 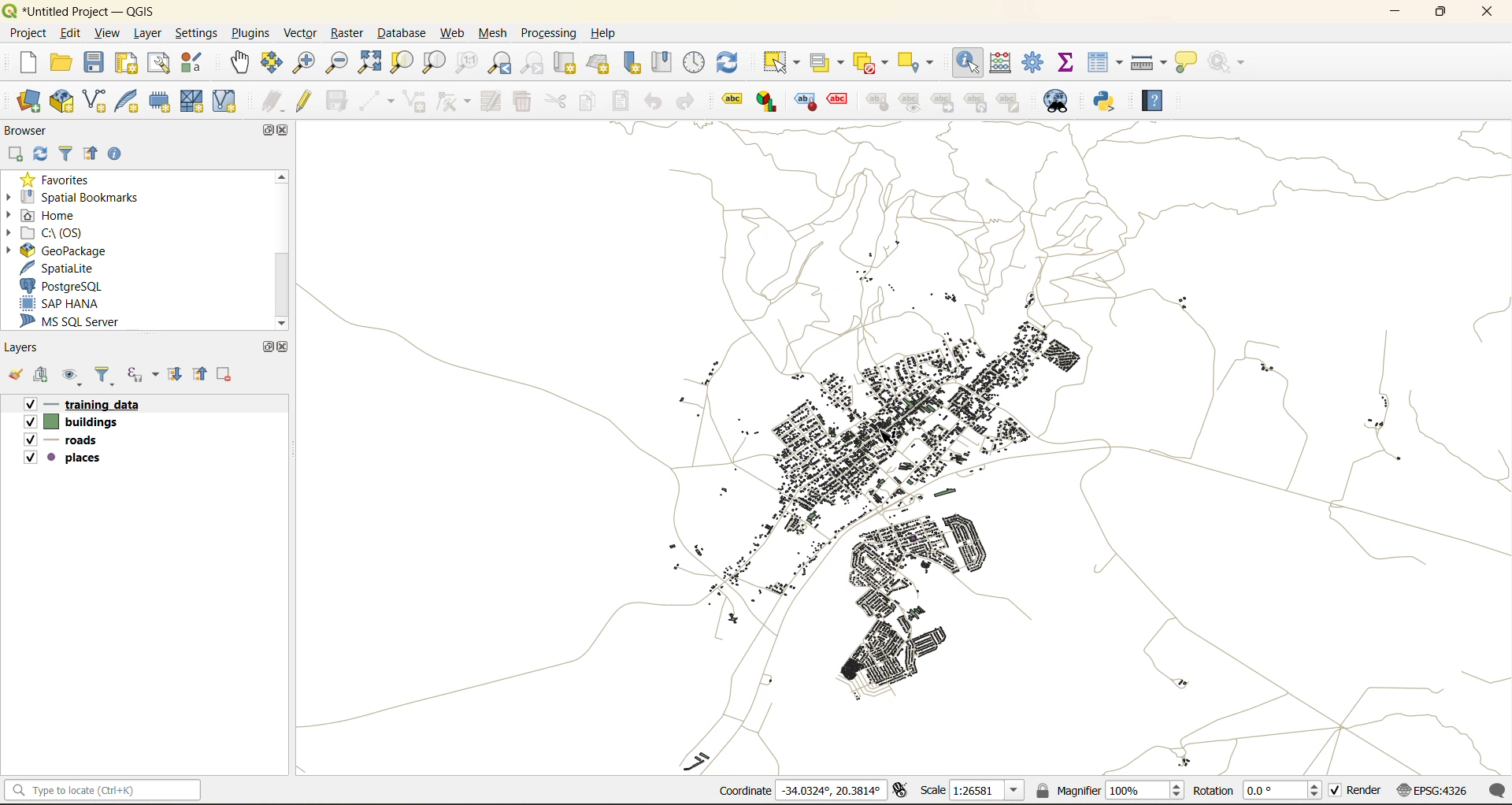 I want to click on print layout, so click(x=128, y=65).